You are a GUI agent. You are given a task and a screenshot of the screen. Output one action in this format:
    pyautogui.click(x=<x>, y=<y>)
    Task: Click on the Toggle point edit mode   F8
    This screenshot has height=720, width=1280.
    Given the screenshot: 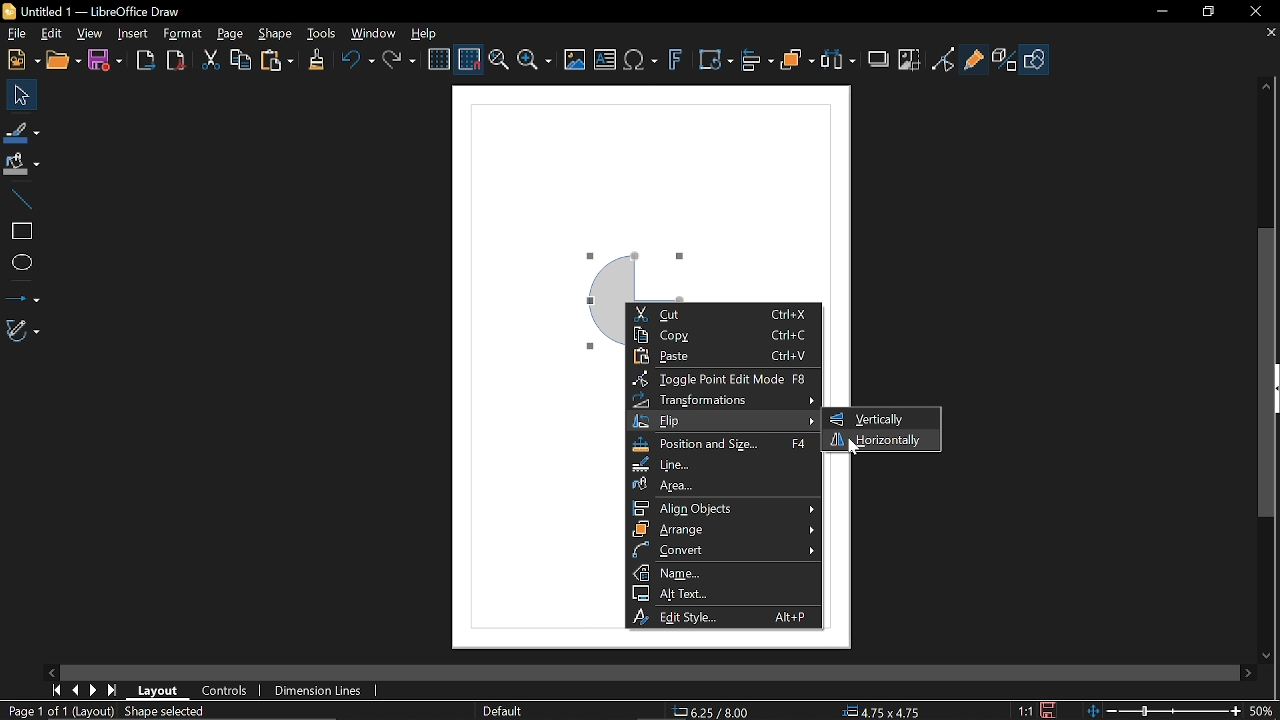 What is the action you would take?
    pyautogui.click(x=719, y=379)
    